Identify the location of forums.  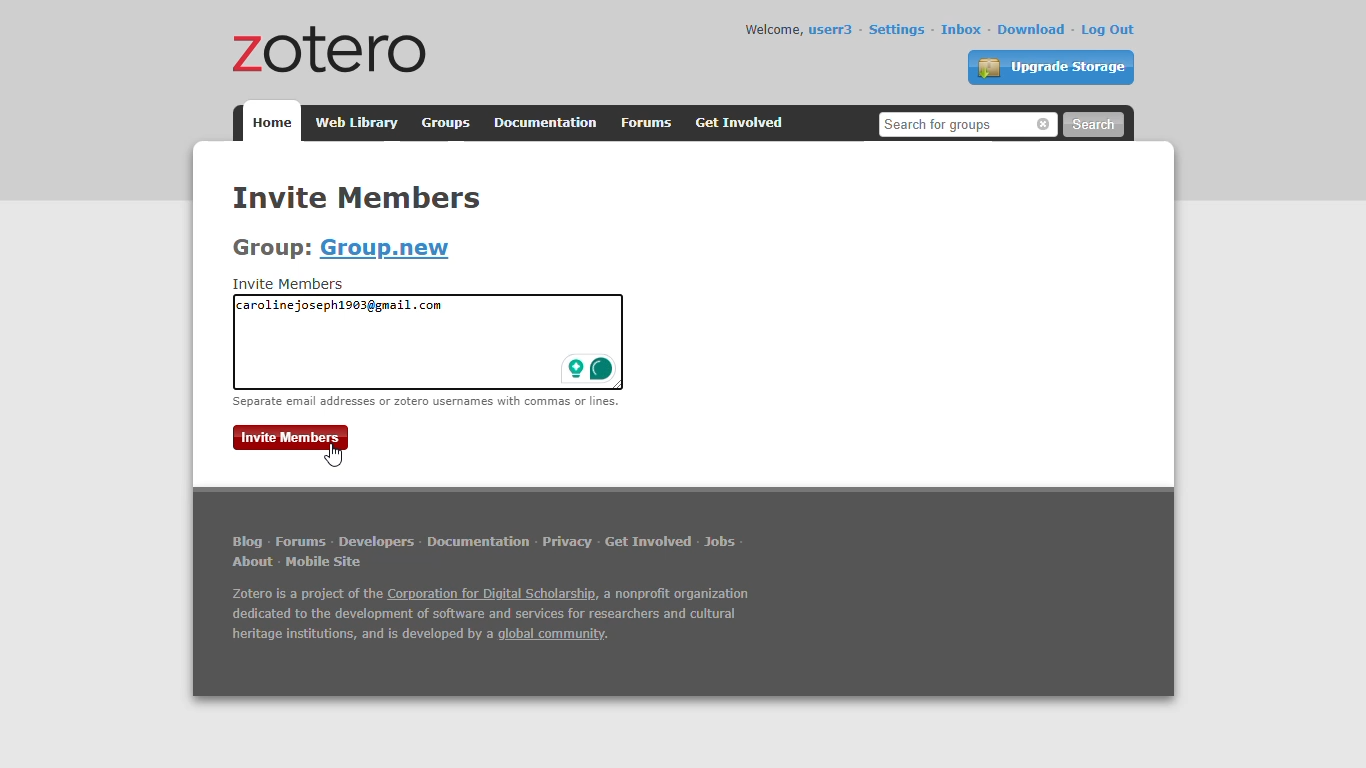
(300, 541).